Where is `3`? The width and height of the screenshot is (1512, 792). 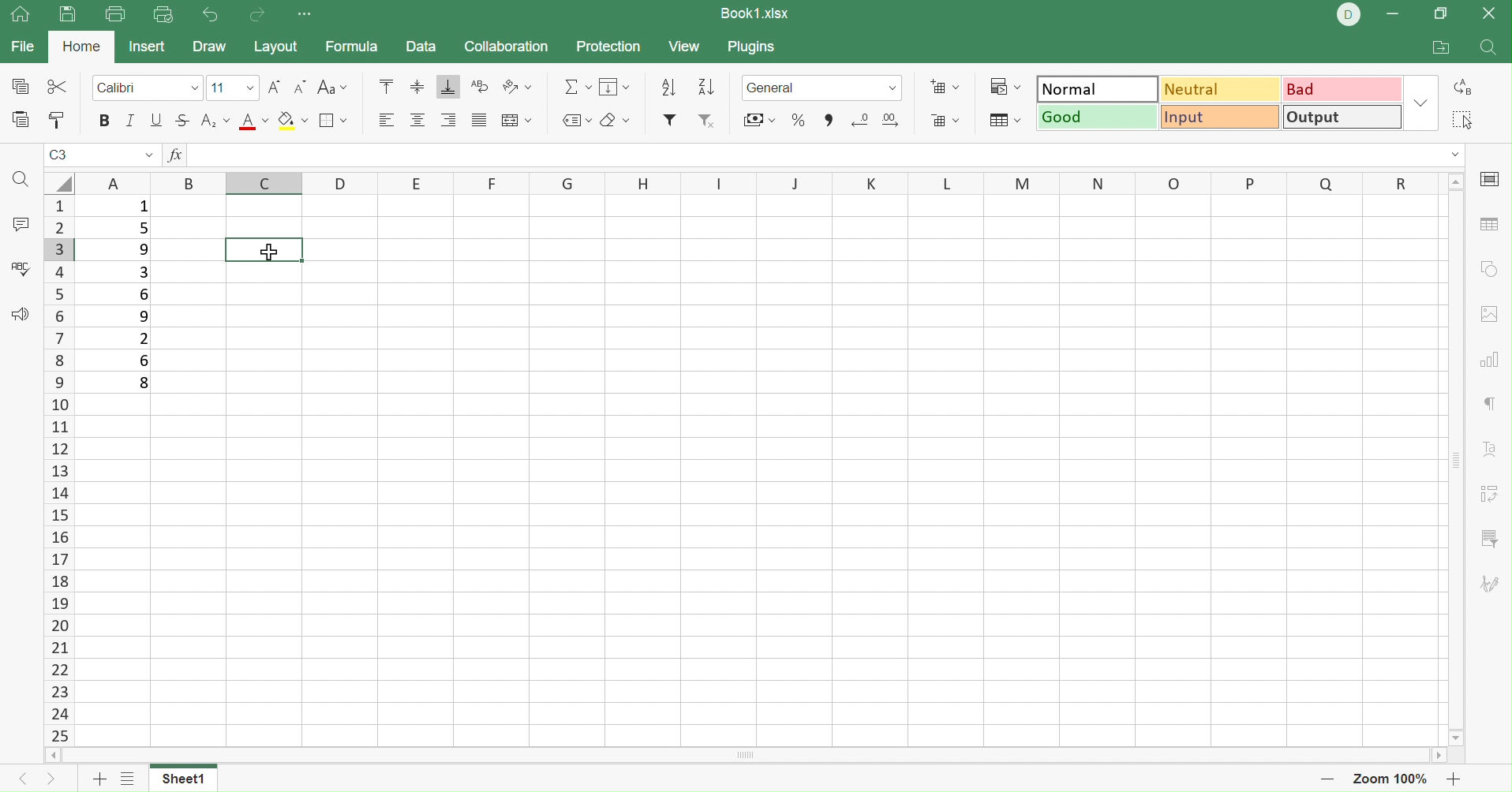 3 is located at coordinates (142, 271).